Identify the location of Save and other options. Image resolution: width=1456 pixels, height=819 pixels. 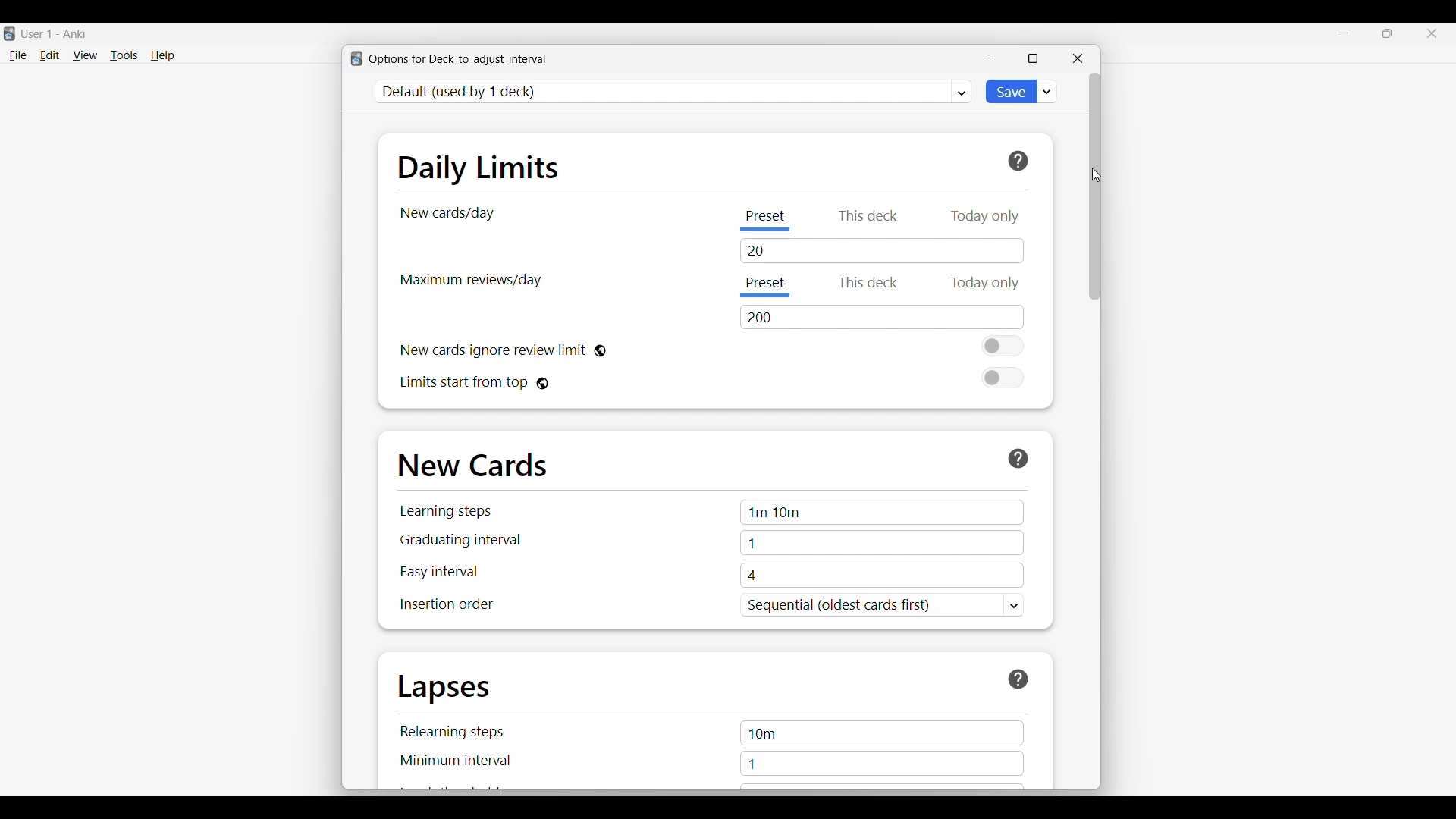
(1048, 92).